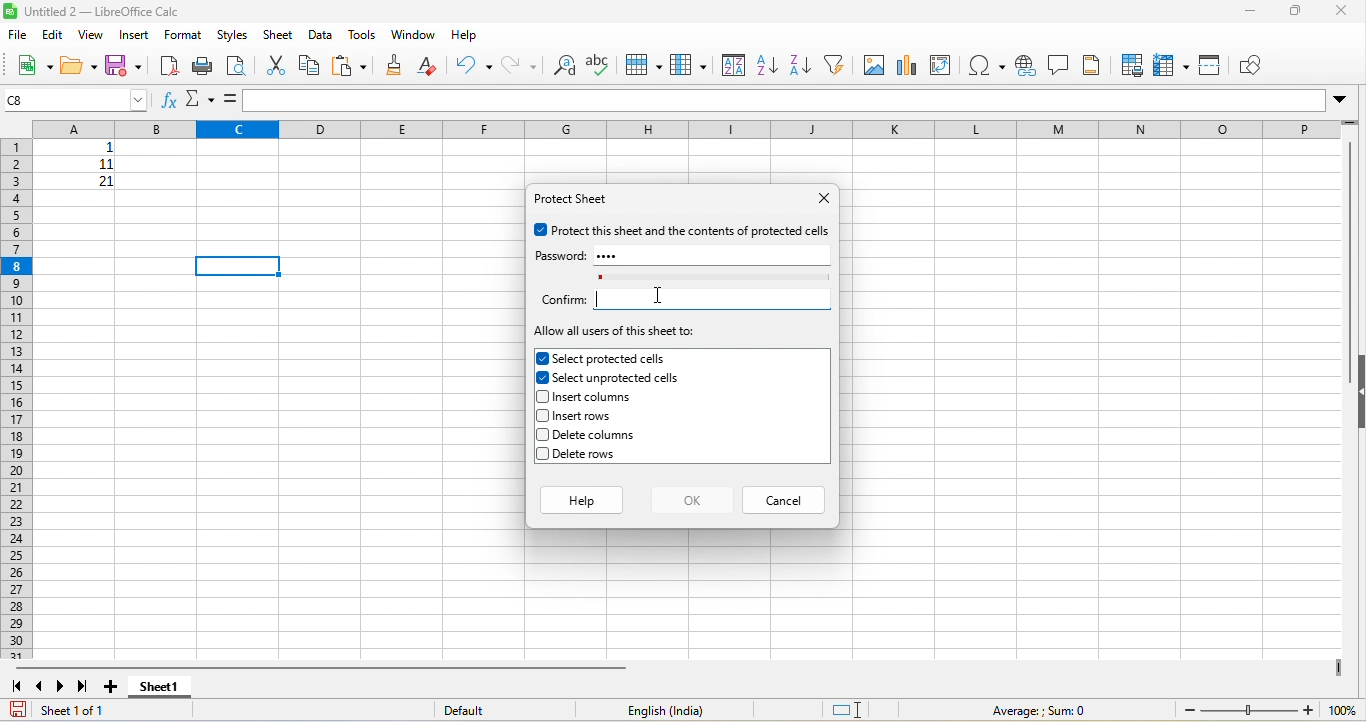 The height and width of the screenshot is (722, 1366). What do you see at coordinates (610, 453) in the screenshot?
I see `delete rows` at bounding box center [610, 453].